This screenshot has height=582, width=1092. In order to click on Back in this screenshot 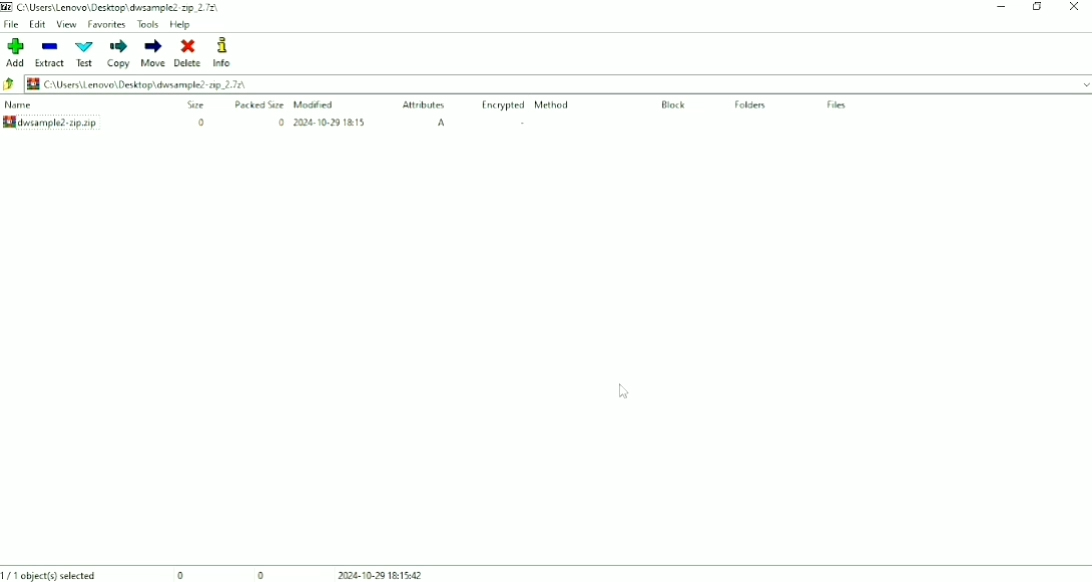, I will do `click(10, 85)`.